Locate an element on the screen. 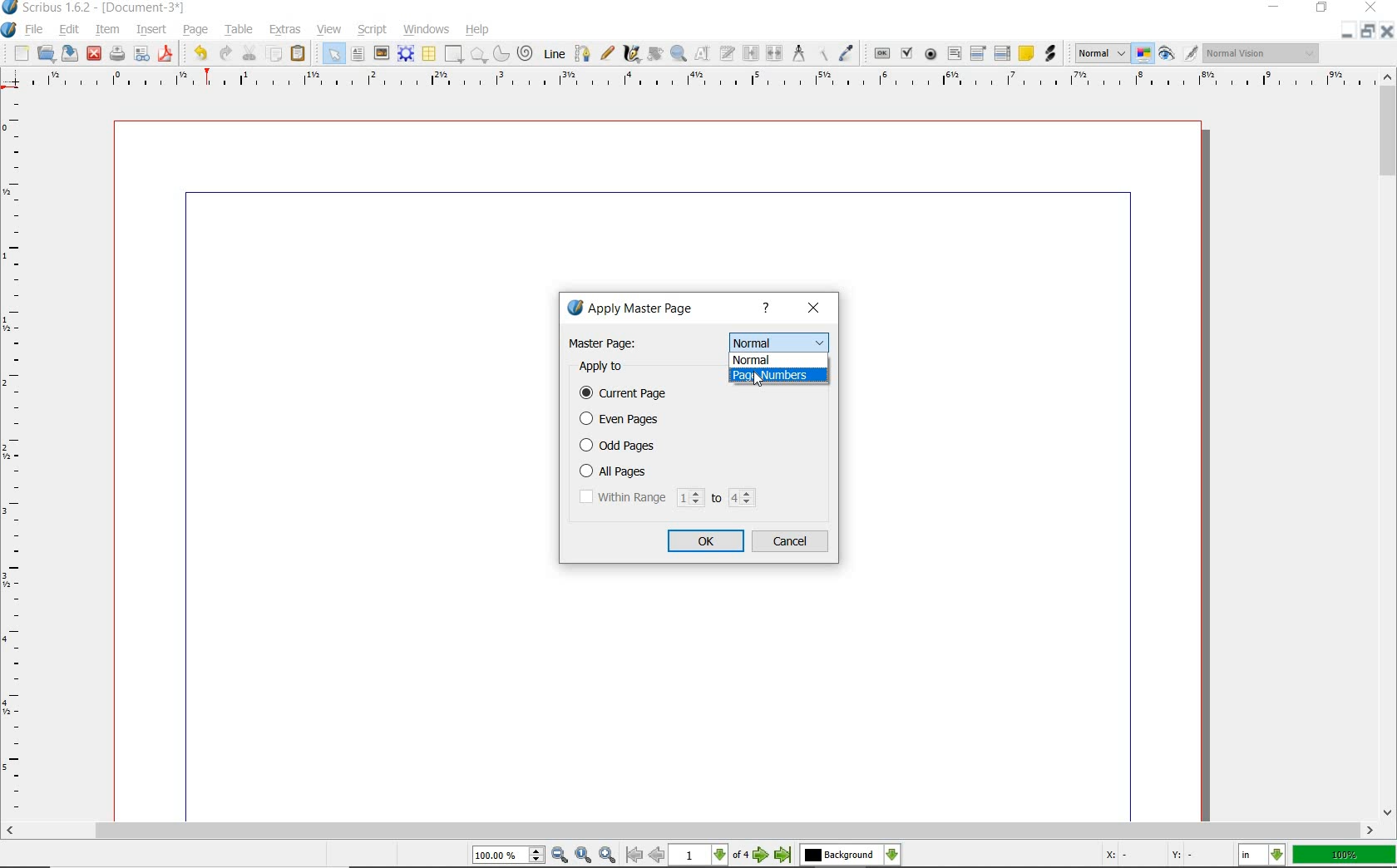 The width and height of the screenshot is (1397, 868). Minimize is located at coordinates (1367, 33).